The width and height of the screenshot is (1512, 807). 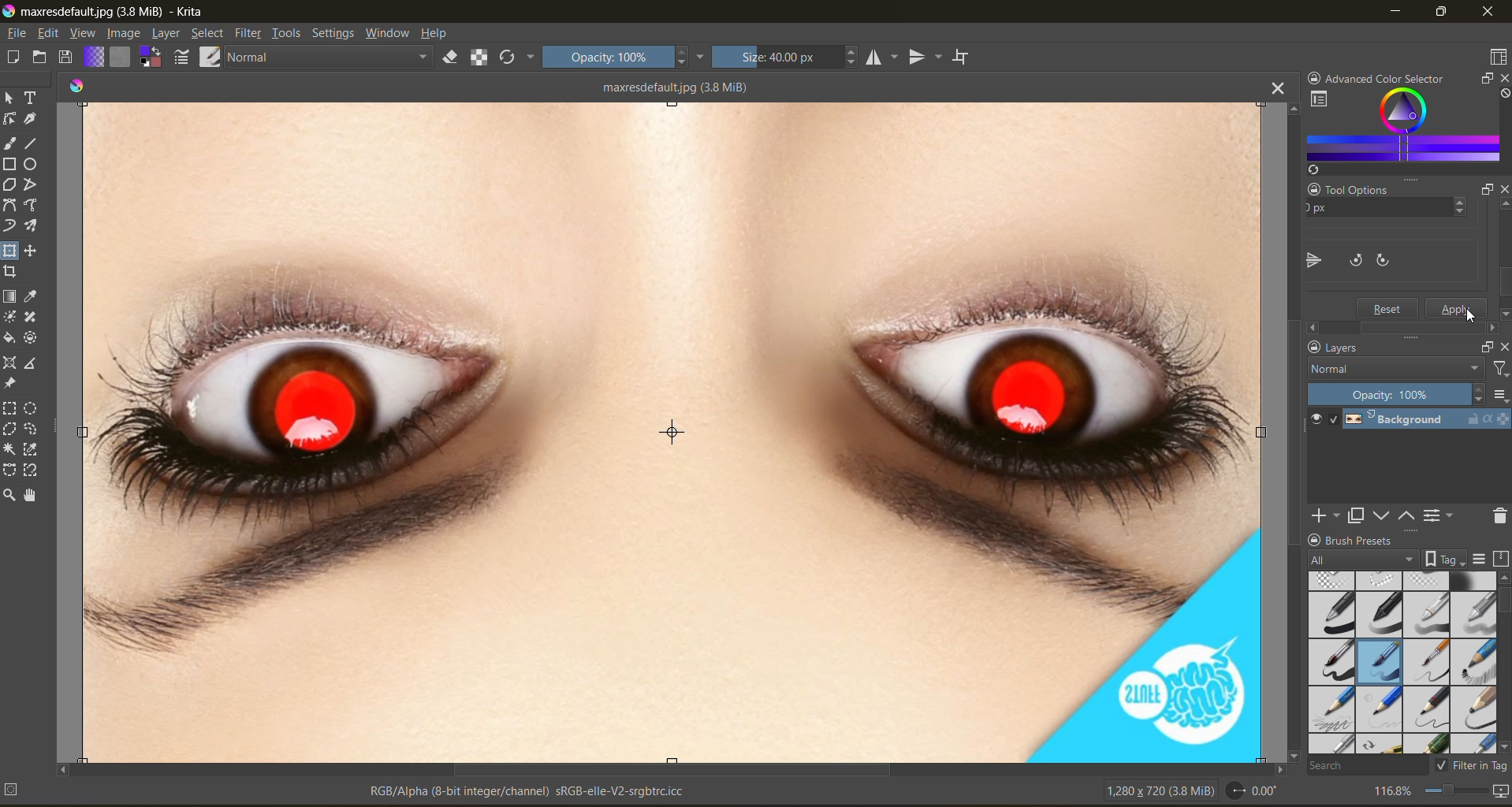 I want to click on image, so click(x=124, y=35).